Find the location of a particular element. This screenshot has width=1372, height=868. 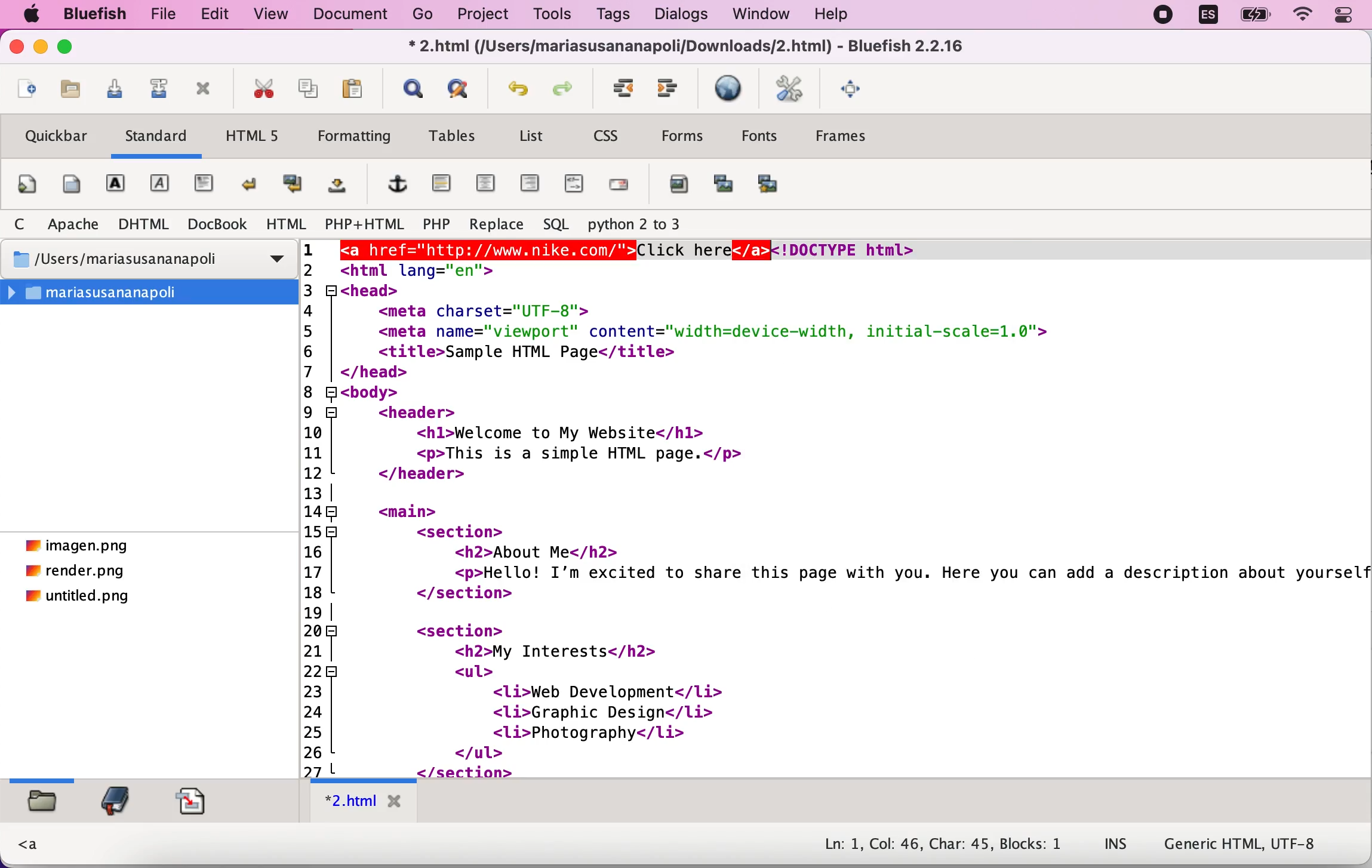

body is located at coordinates (69, 184).